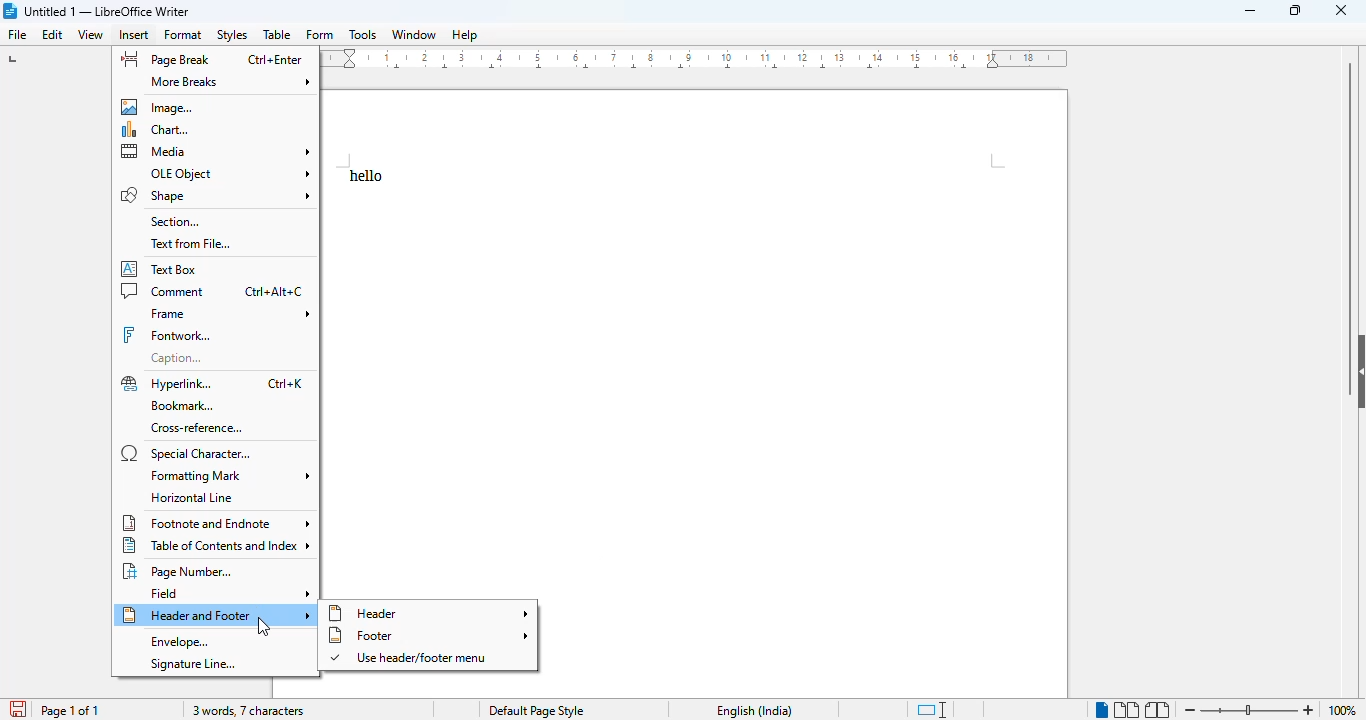 The image size is (1366, 720). I want to click on title, so click(108, 11).